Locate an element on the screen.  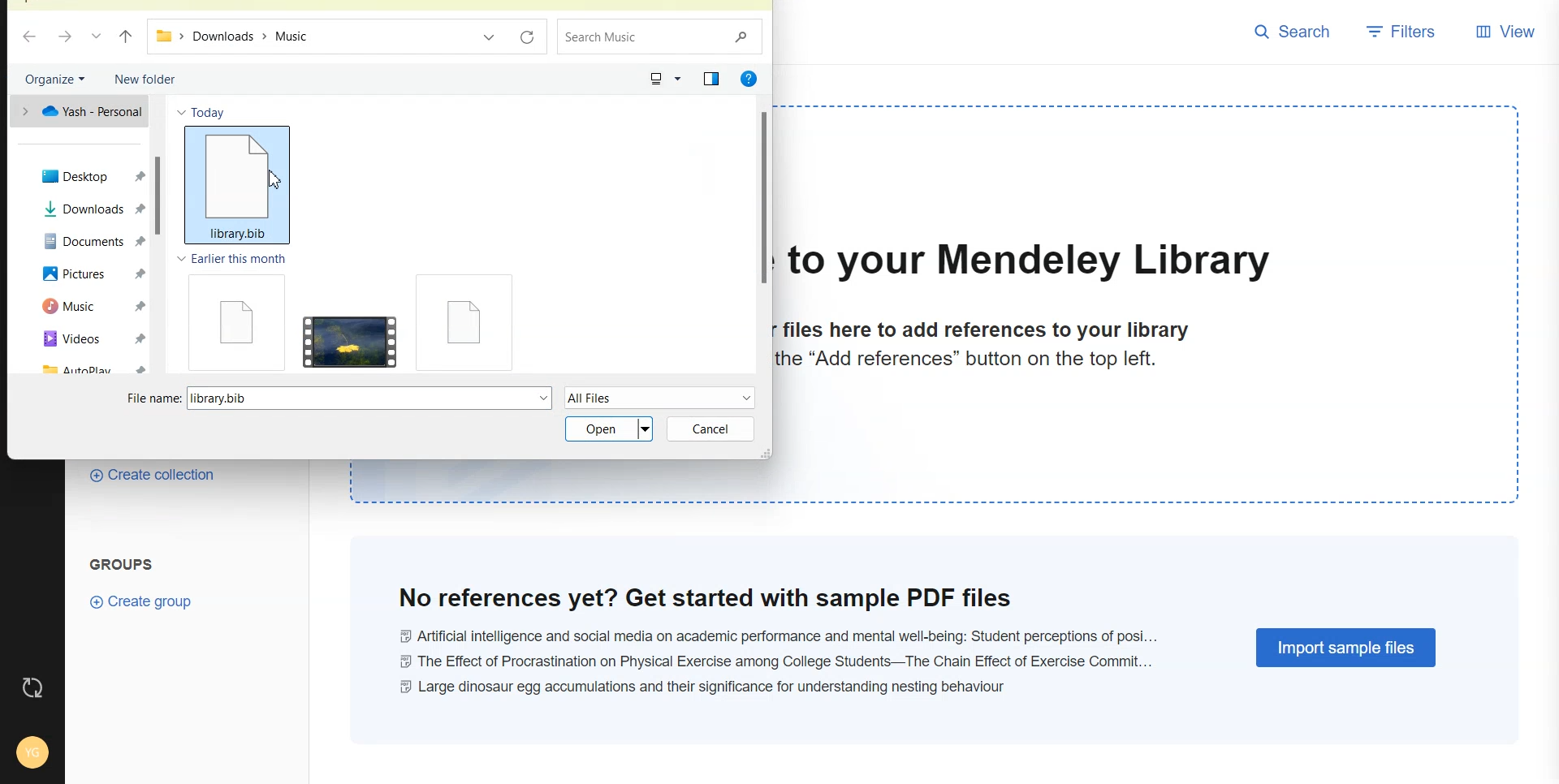
File name is located at coordinates (151, 398).